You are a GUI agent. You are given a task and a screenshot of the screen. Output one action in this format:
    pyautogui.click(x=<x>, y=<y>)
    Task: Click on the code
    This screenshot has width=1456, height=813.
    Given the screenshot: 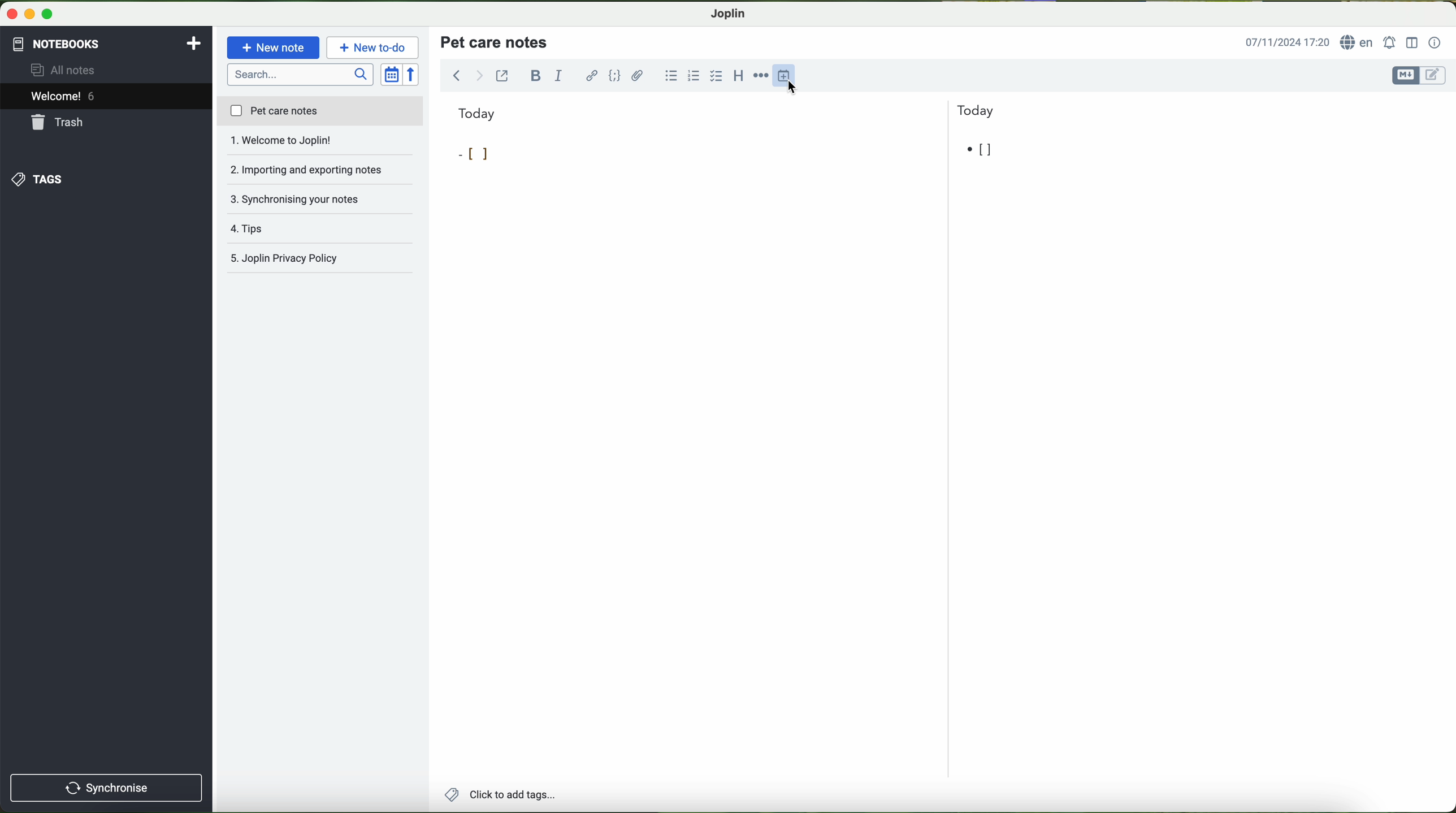 What is the action you would take?
    pyautogui.click(x=614, y=75)
    